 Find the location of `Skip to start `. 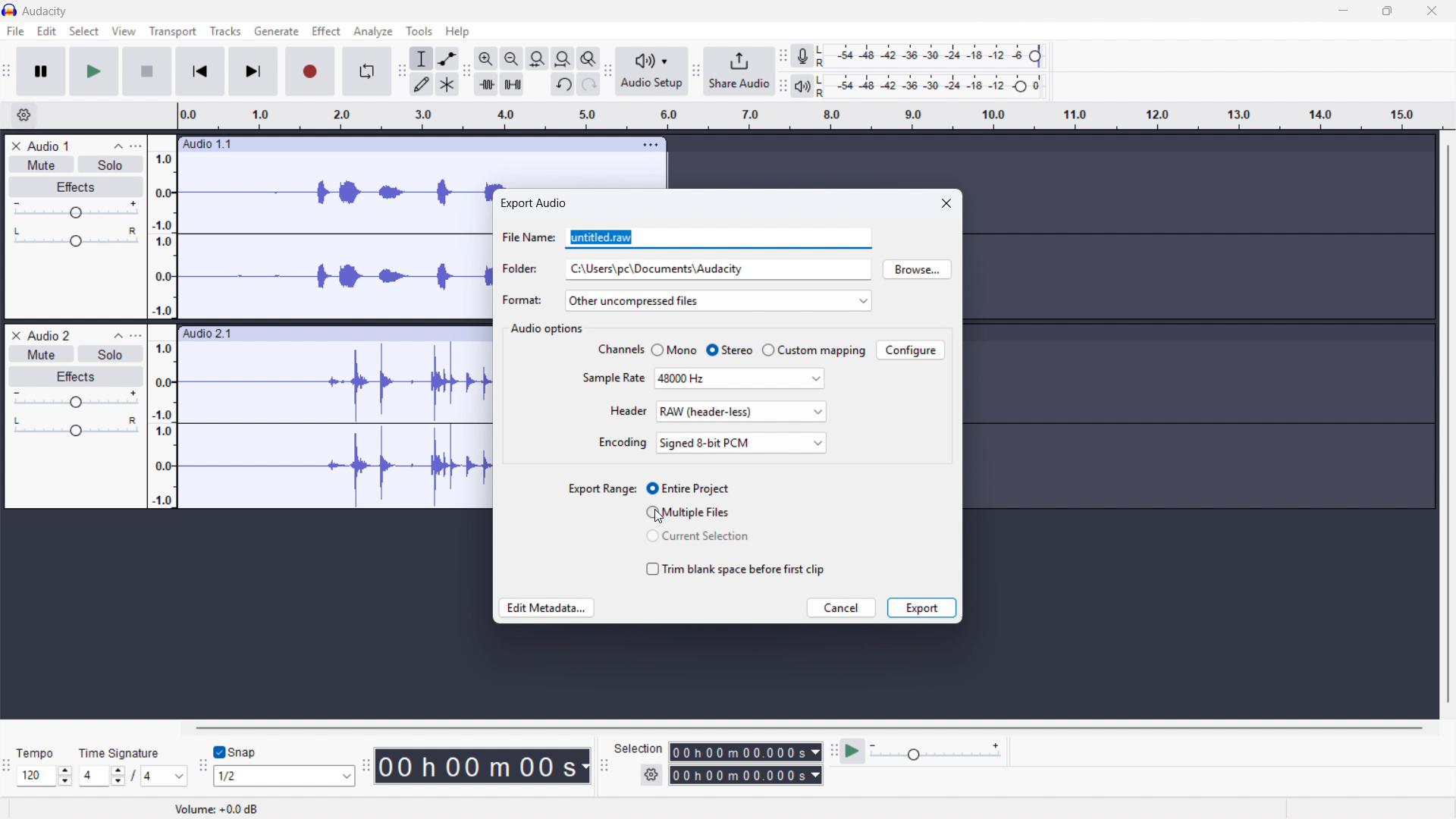

Skip to start  is located at coordinates (199, 72).